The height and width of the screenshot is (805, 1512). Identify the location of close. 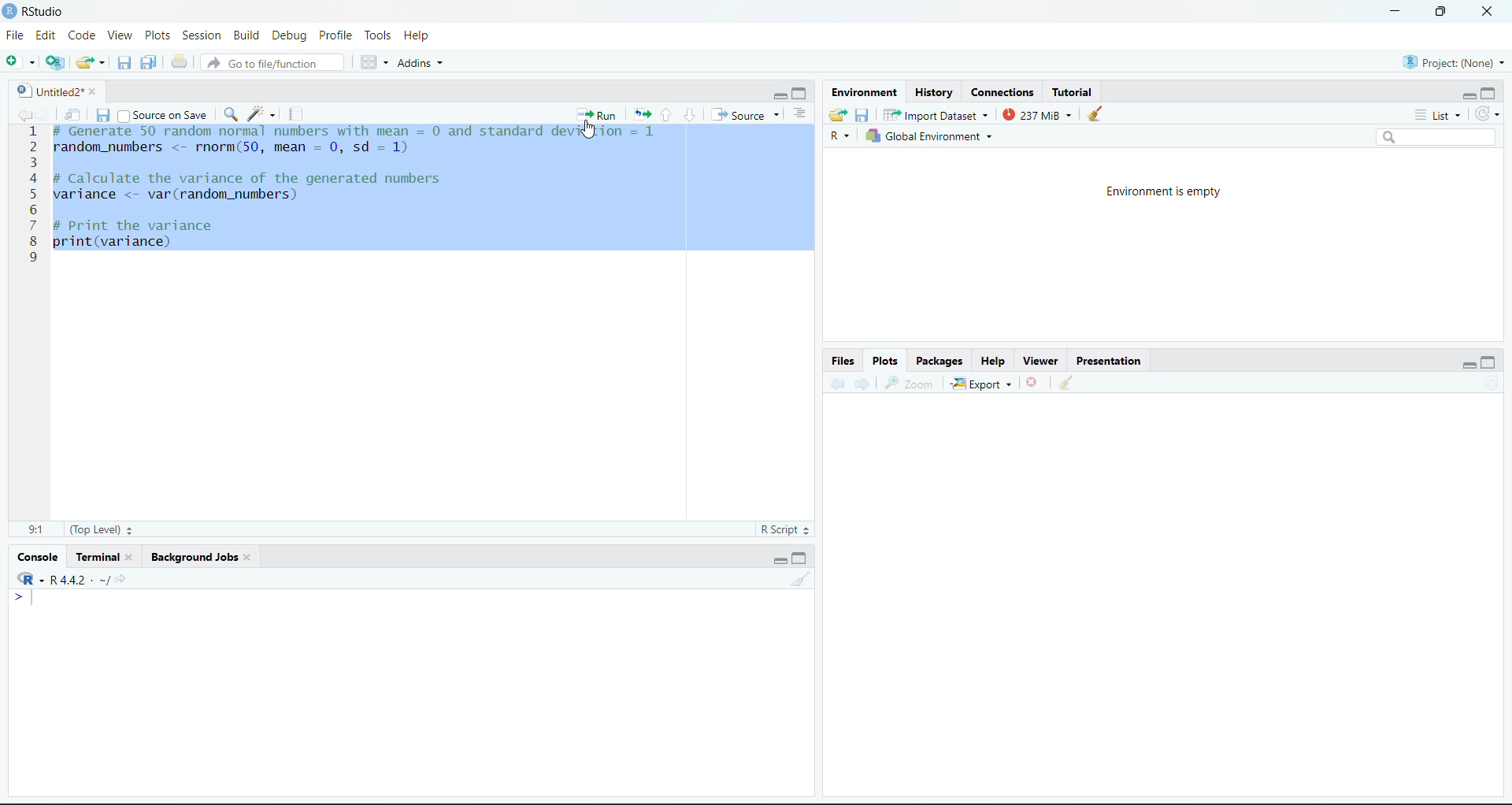
(98, 91).